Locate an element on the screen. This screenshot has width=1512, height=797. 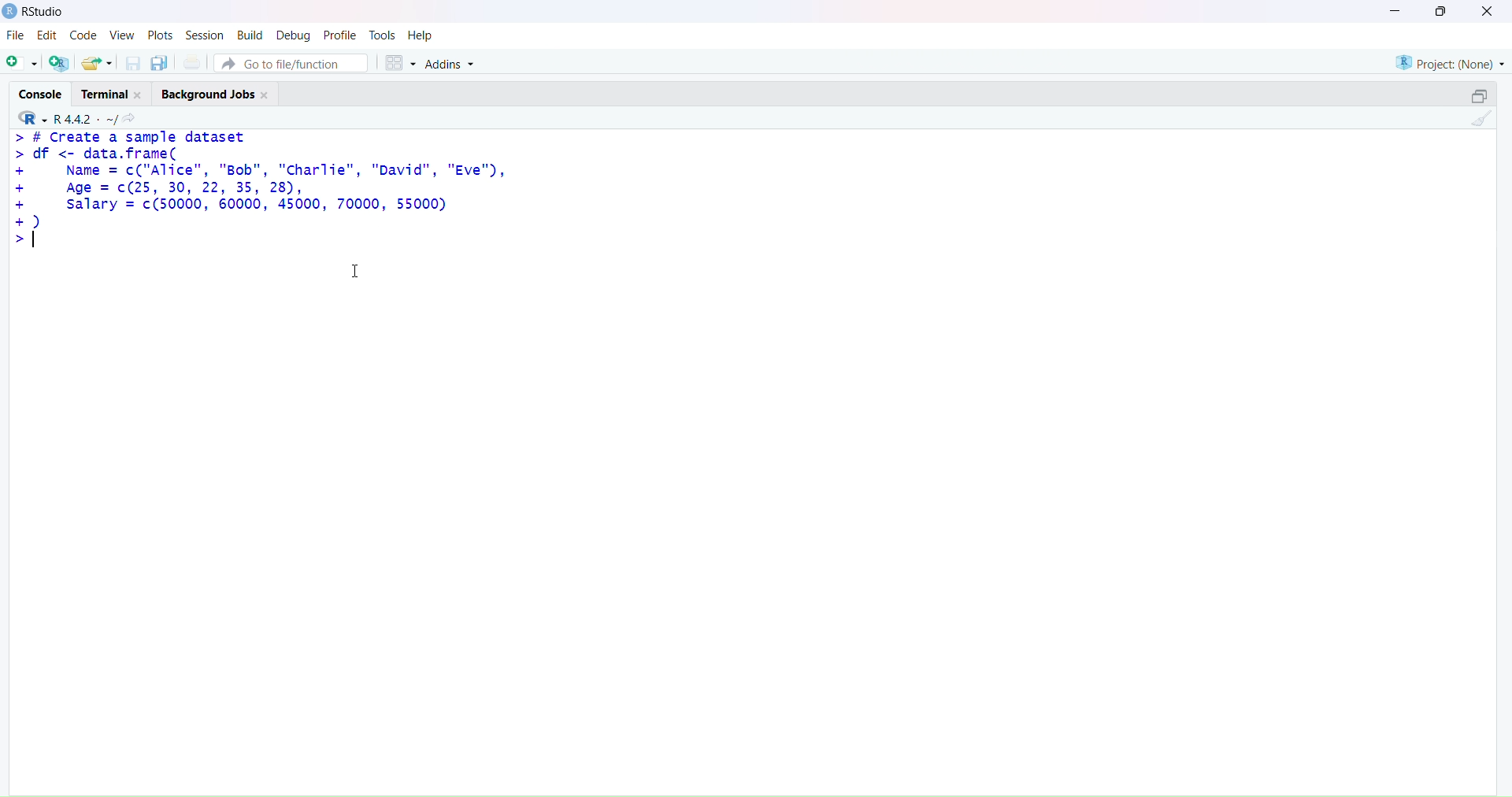
build is located at coordinates (251, 35).